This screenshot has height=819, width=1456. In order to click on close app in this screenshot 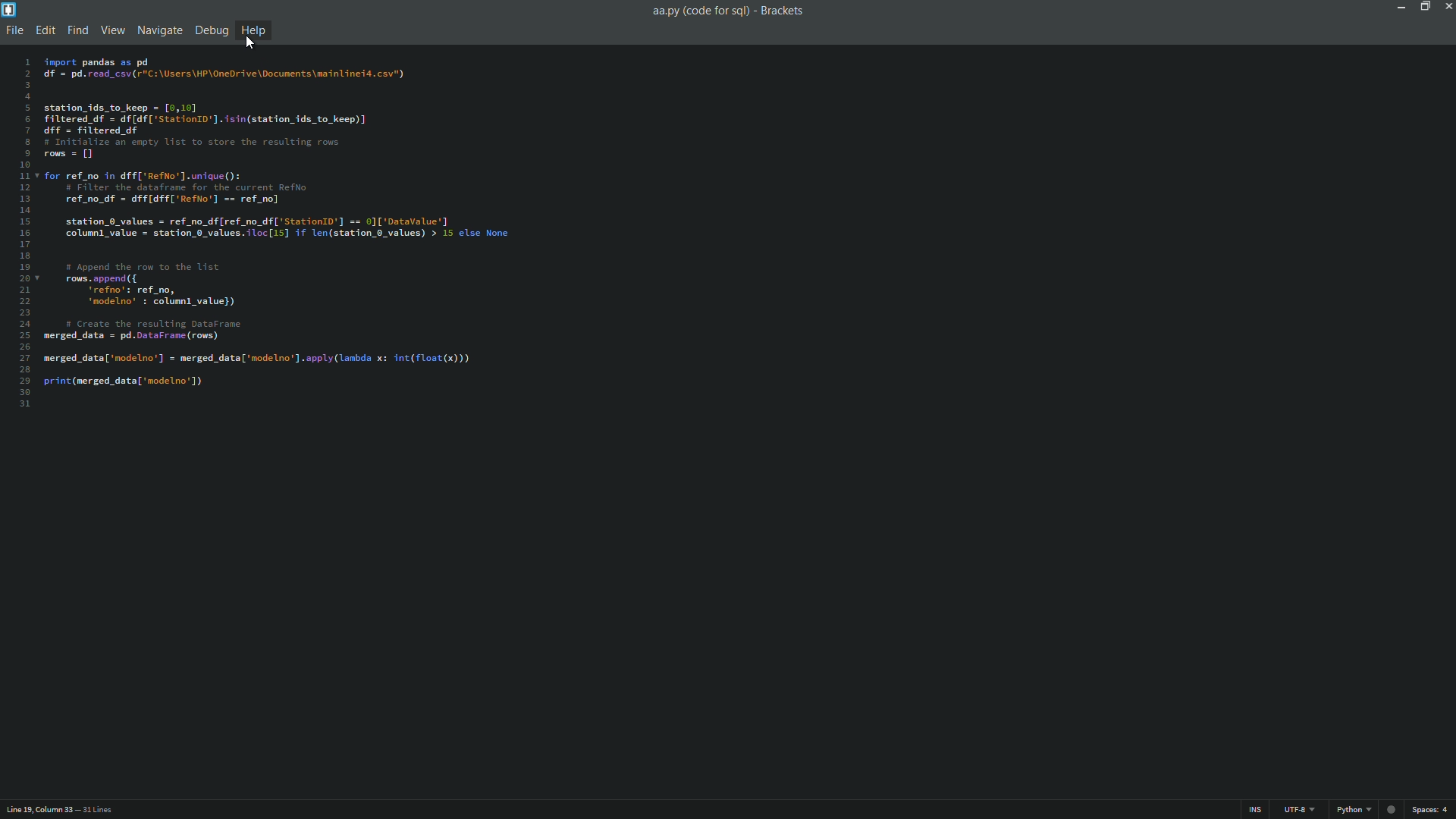, I will do `click(1447, 7)`.